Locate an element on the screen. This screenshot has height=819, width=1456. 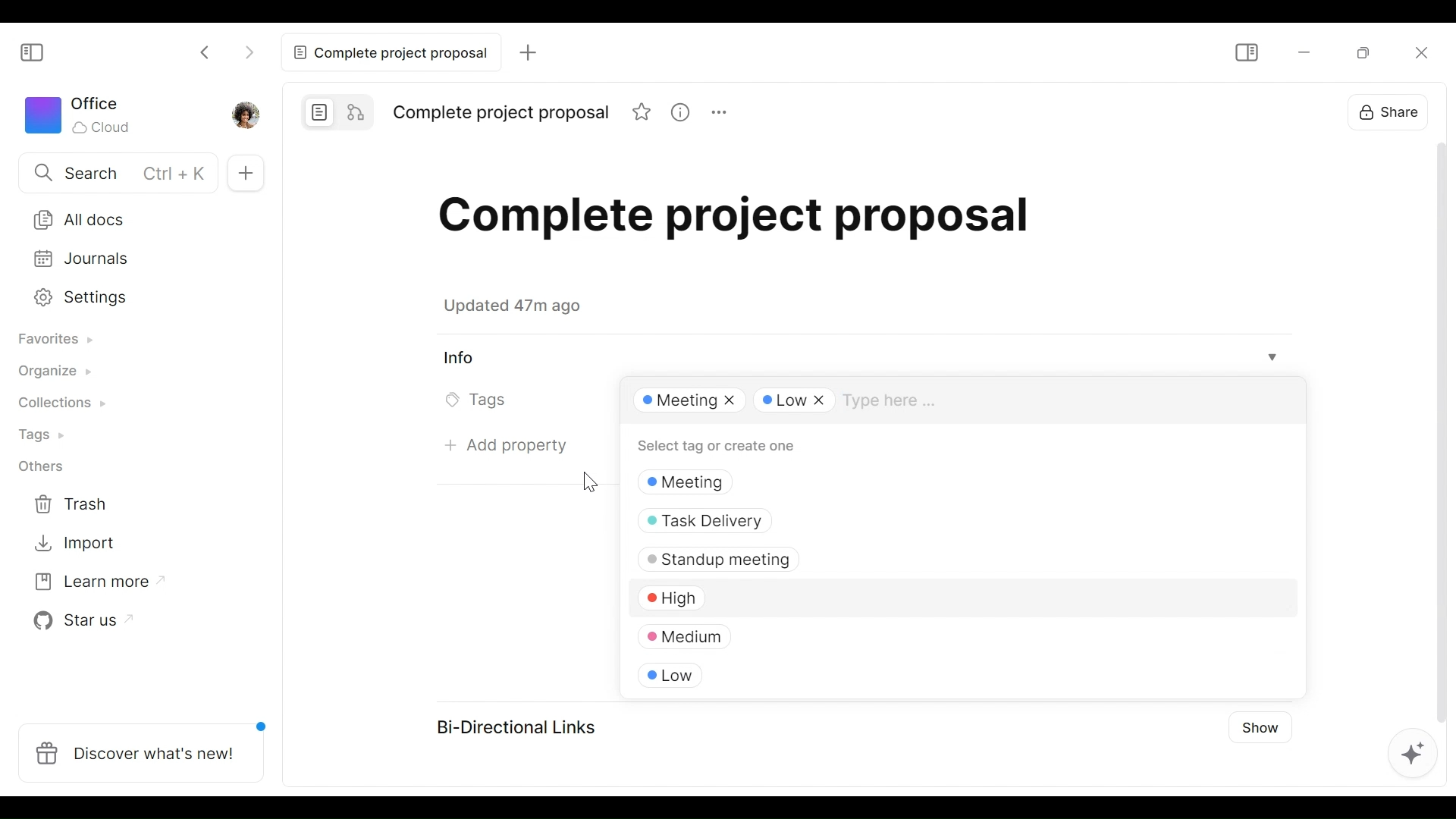
View Information is located at coordinates (679, 111).